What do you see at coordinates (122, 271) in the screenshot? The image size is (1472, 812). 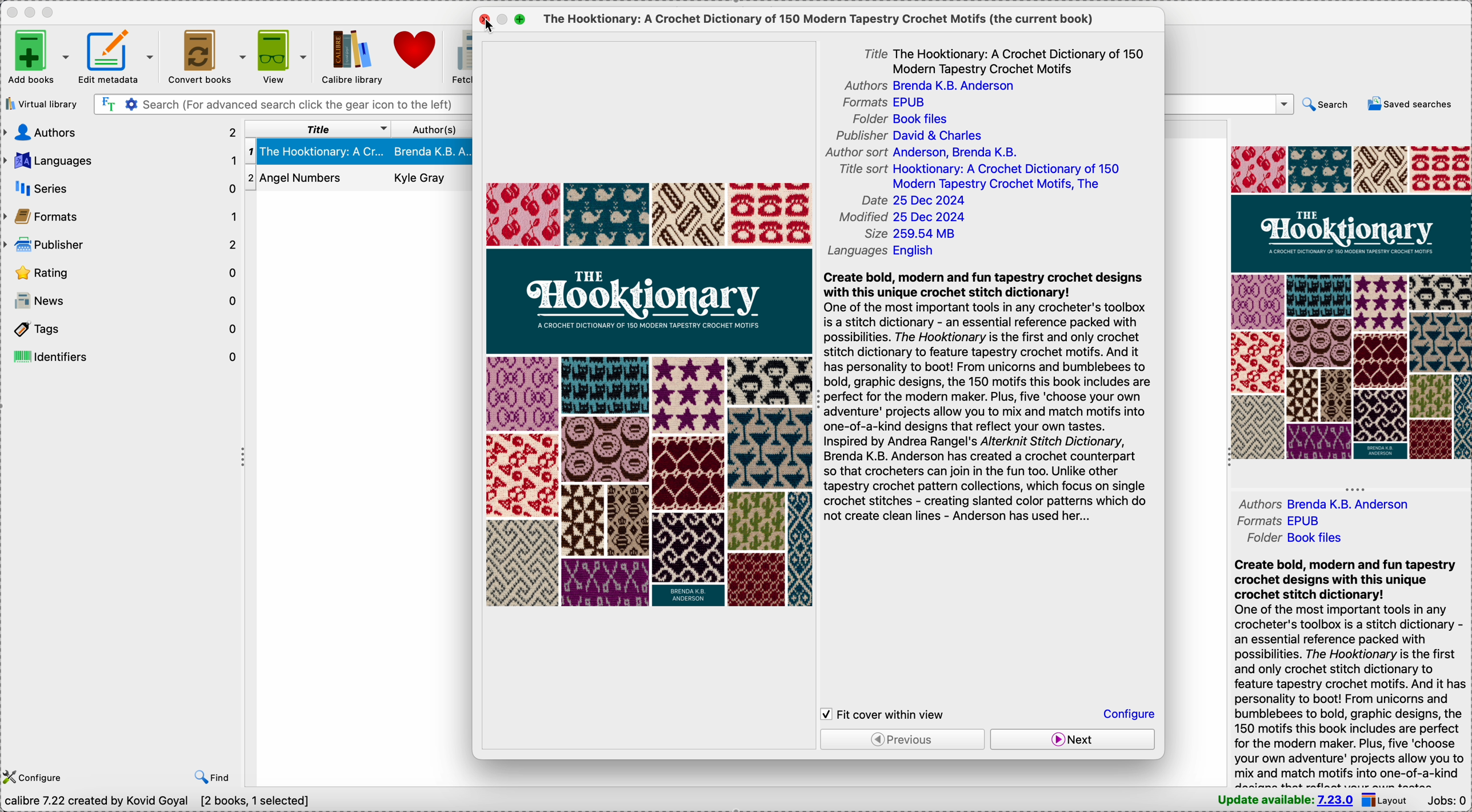 I see `rating` at bounding box center [122, 271].